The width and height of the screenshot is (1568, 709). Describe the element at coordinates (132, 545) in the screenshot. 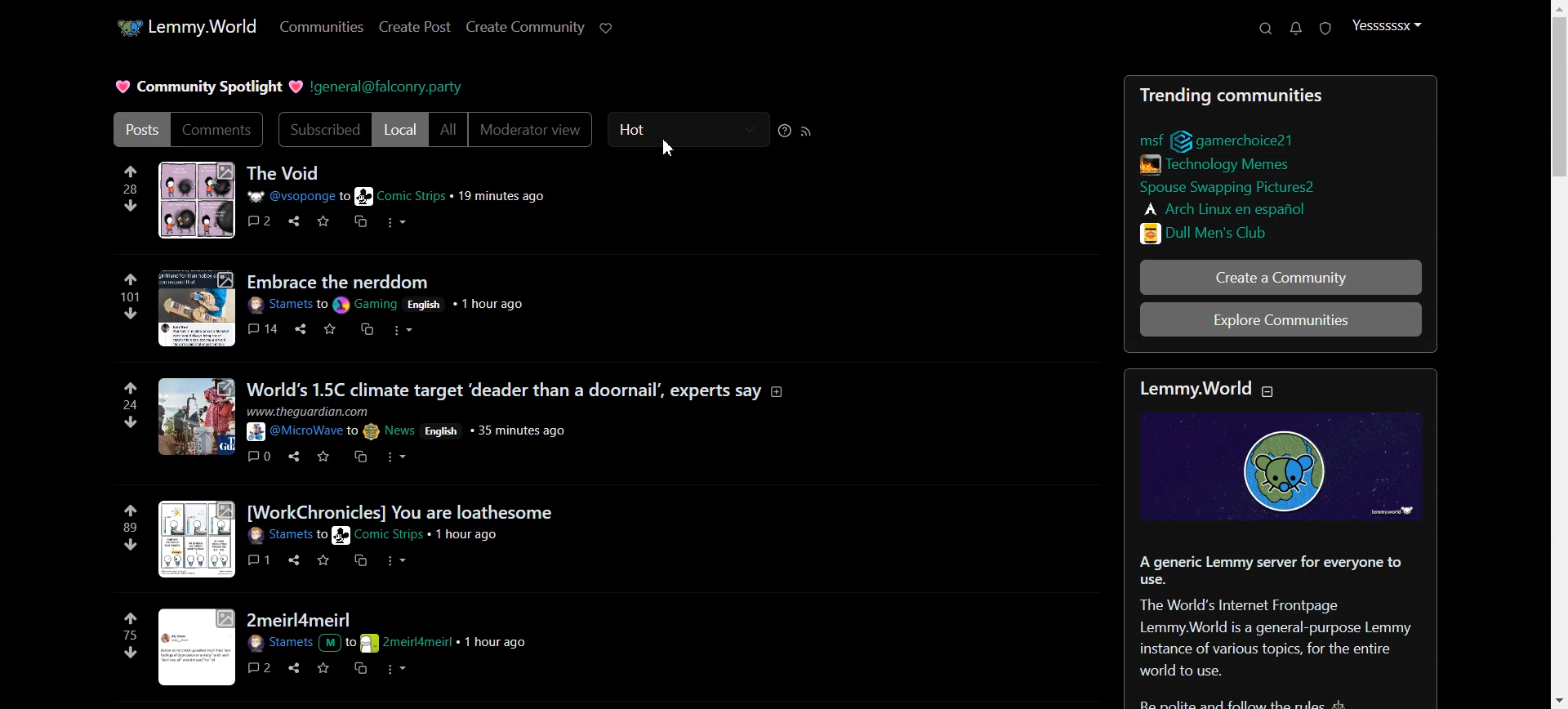

I see `downvote` at that location.